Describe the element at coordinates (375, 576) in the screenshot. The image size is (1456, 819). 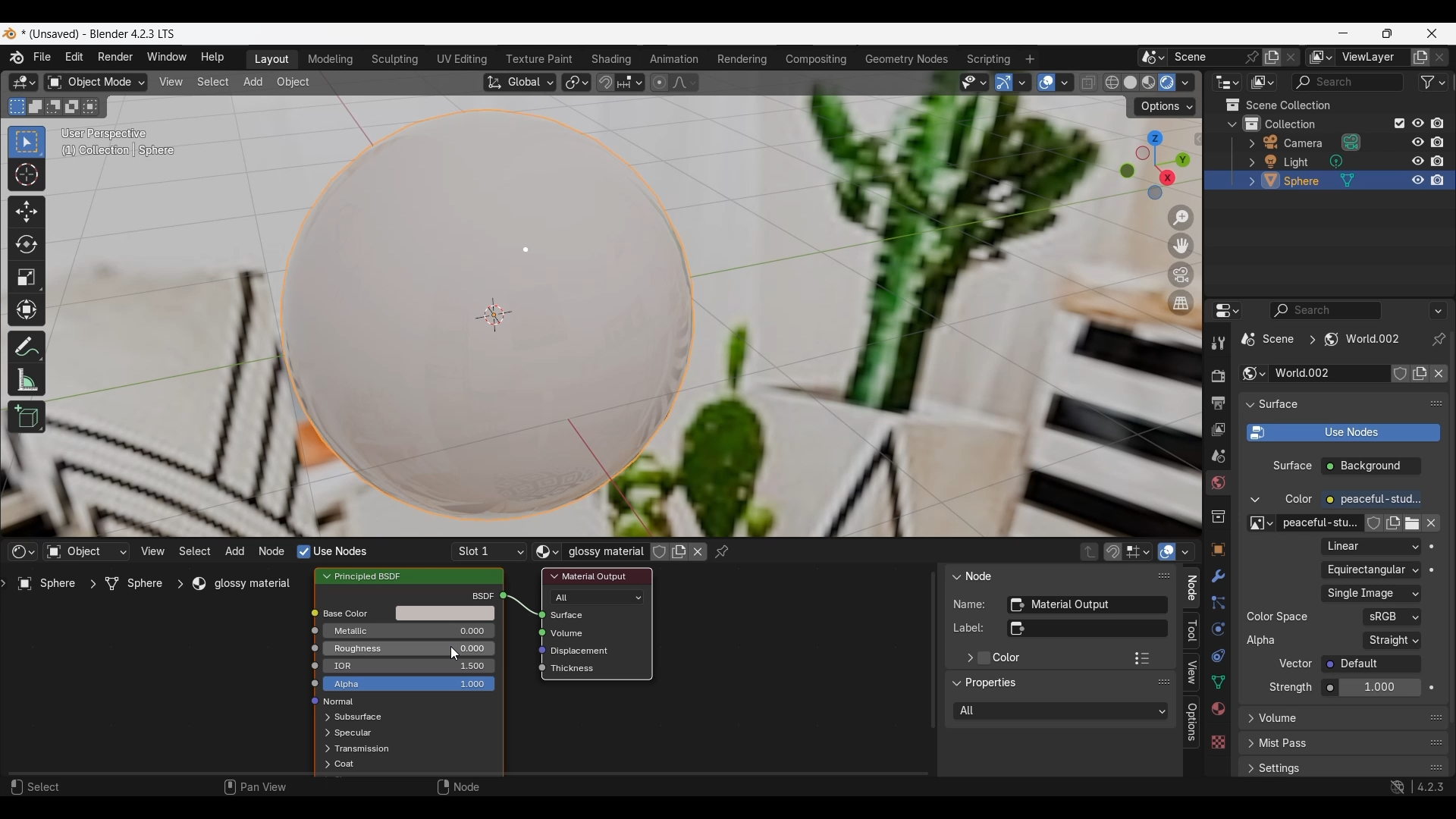
I see `Principled BSDF` at that location.